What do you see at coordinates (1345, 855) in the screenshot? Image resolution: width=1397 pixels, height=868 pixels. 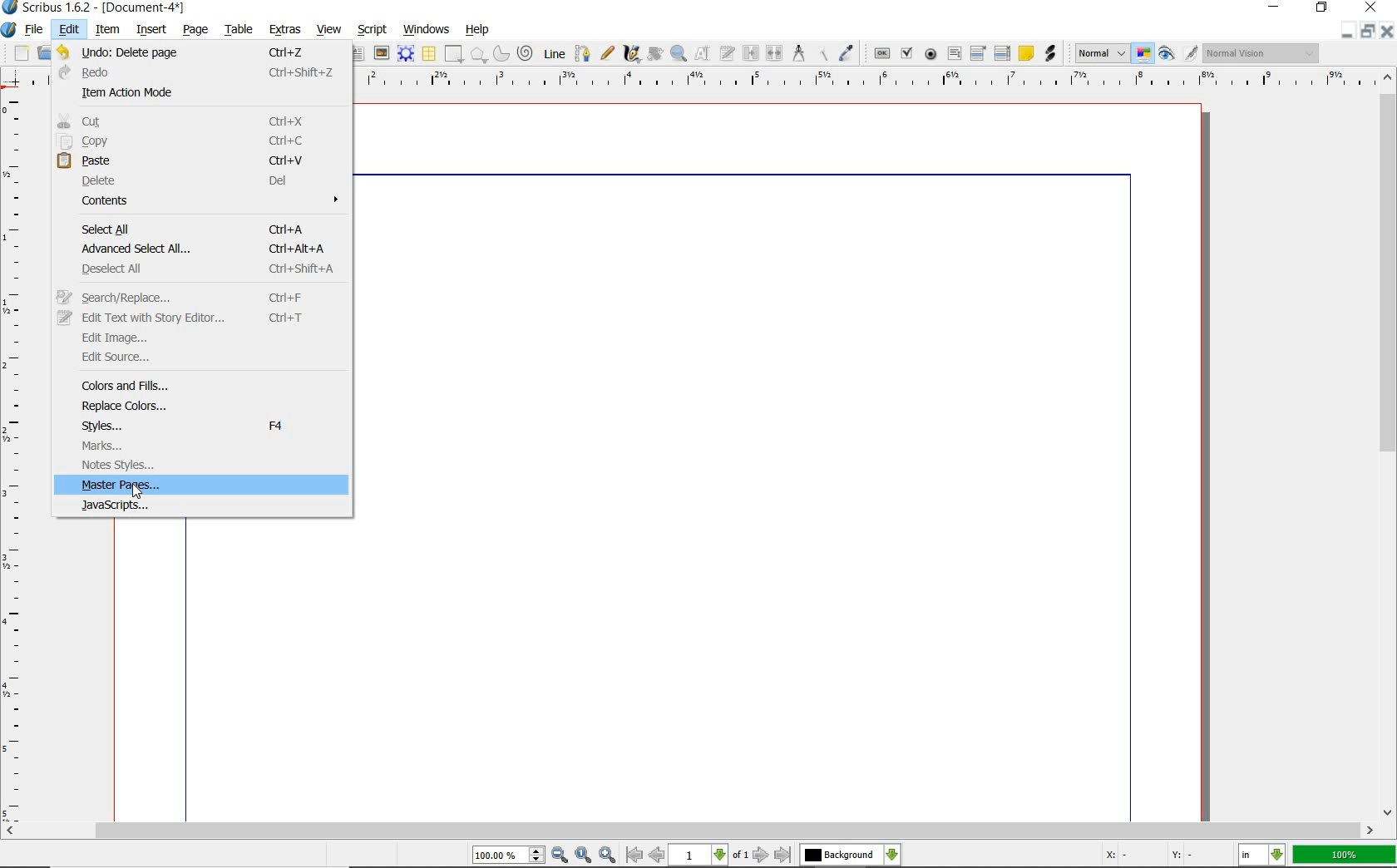 I see `100%` at bounding box center [1345, 855].